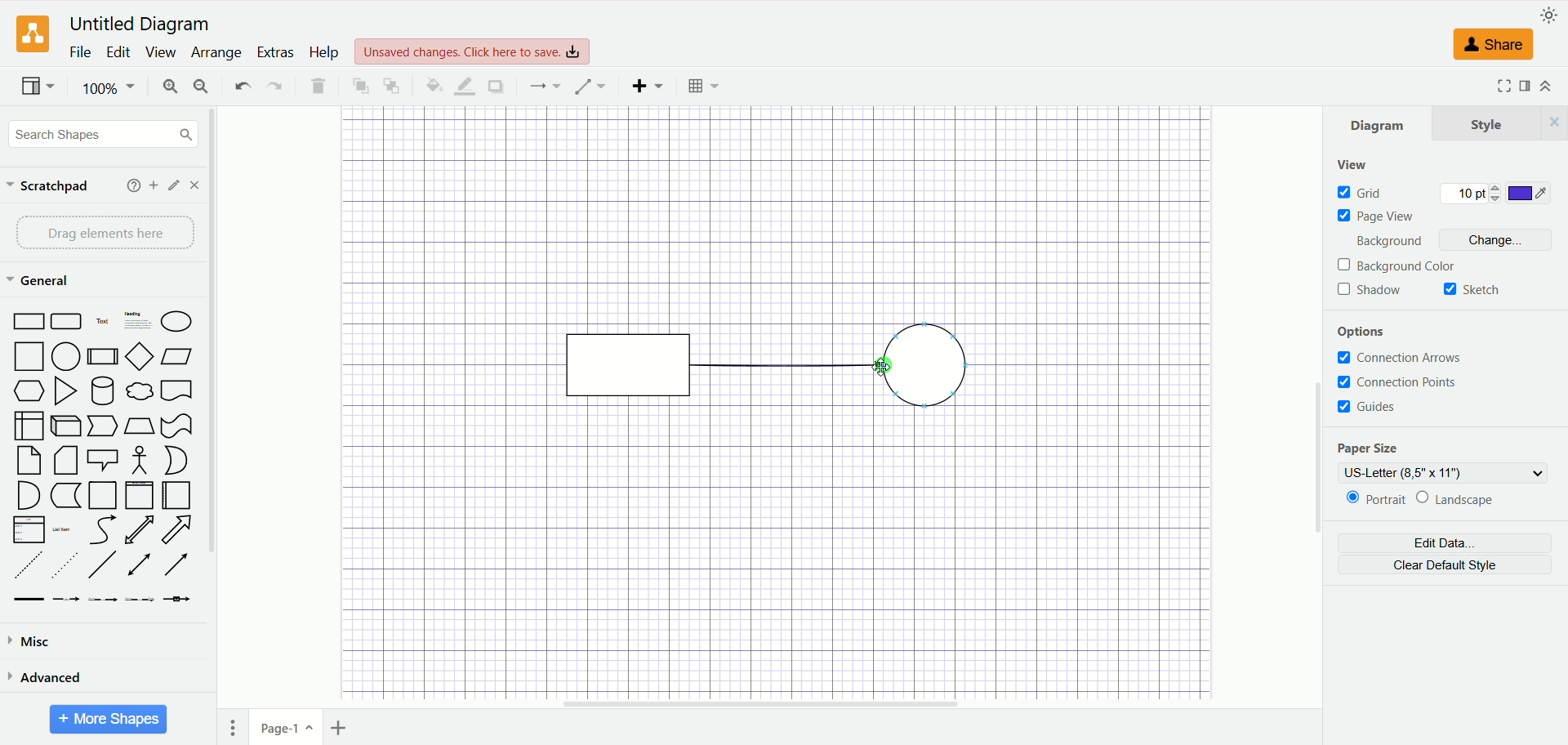 This screenshot has width=1568, height=745. What do you see at coordinates (103, 356) in the screenshot?
I see `Divided Bar` at bounding box center [103, 356].